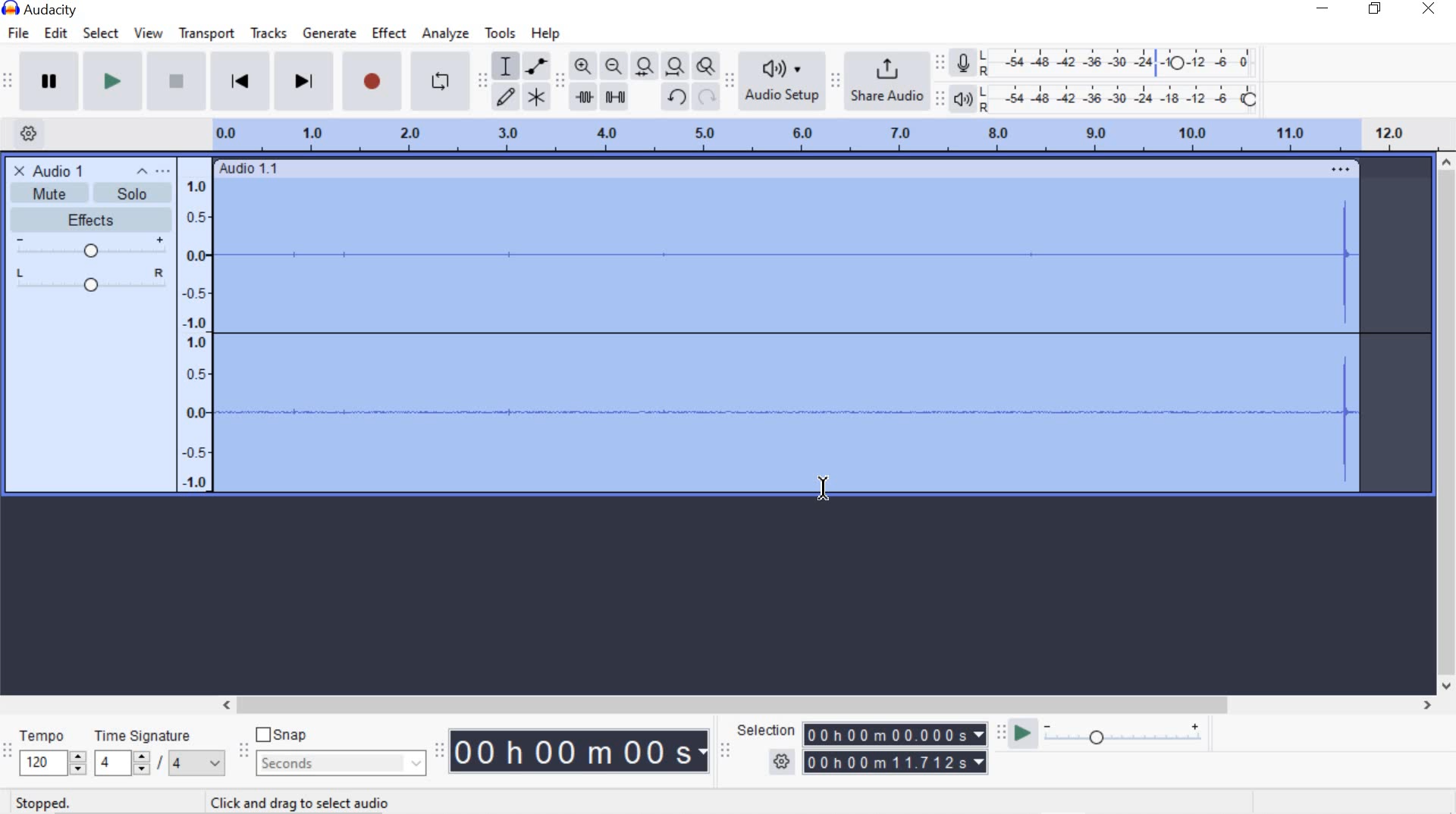  I want to click on snap, so click(287, 736).